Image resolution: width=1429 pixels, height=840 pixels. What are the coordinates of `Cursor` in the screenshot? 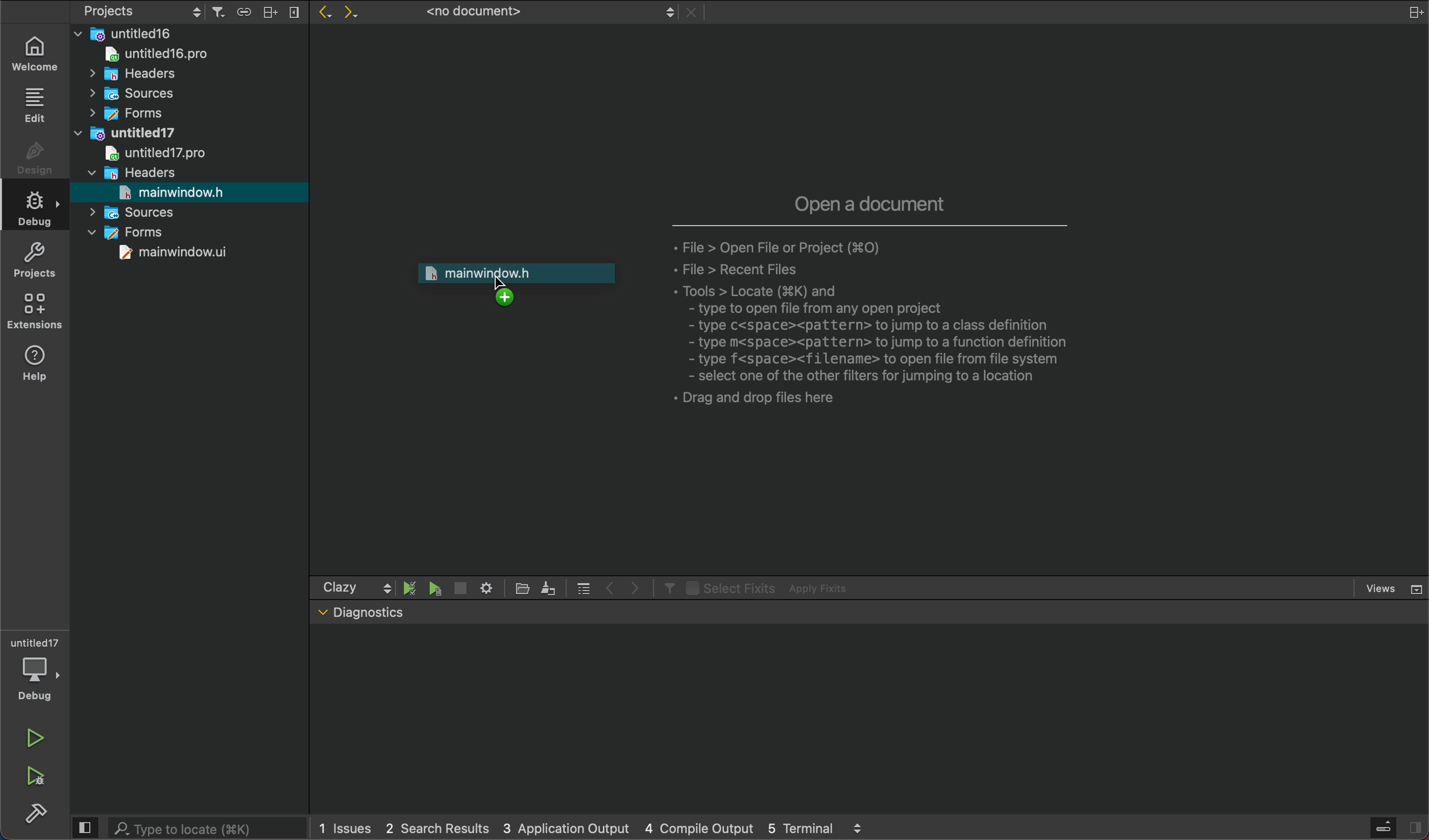 It's located at (501, 284).